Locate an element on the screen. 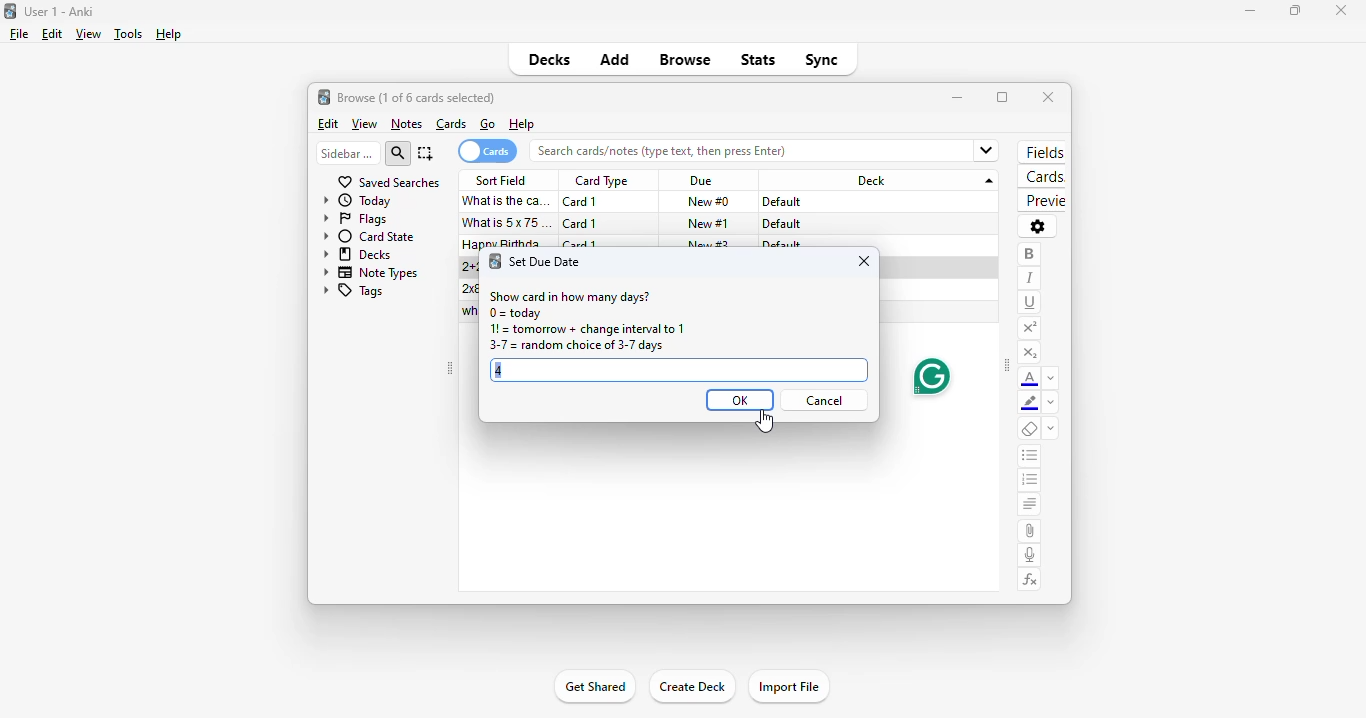  flags is located at coordinates (355, 220).